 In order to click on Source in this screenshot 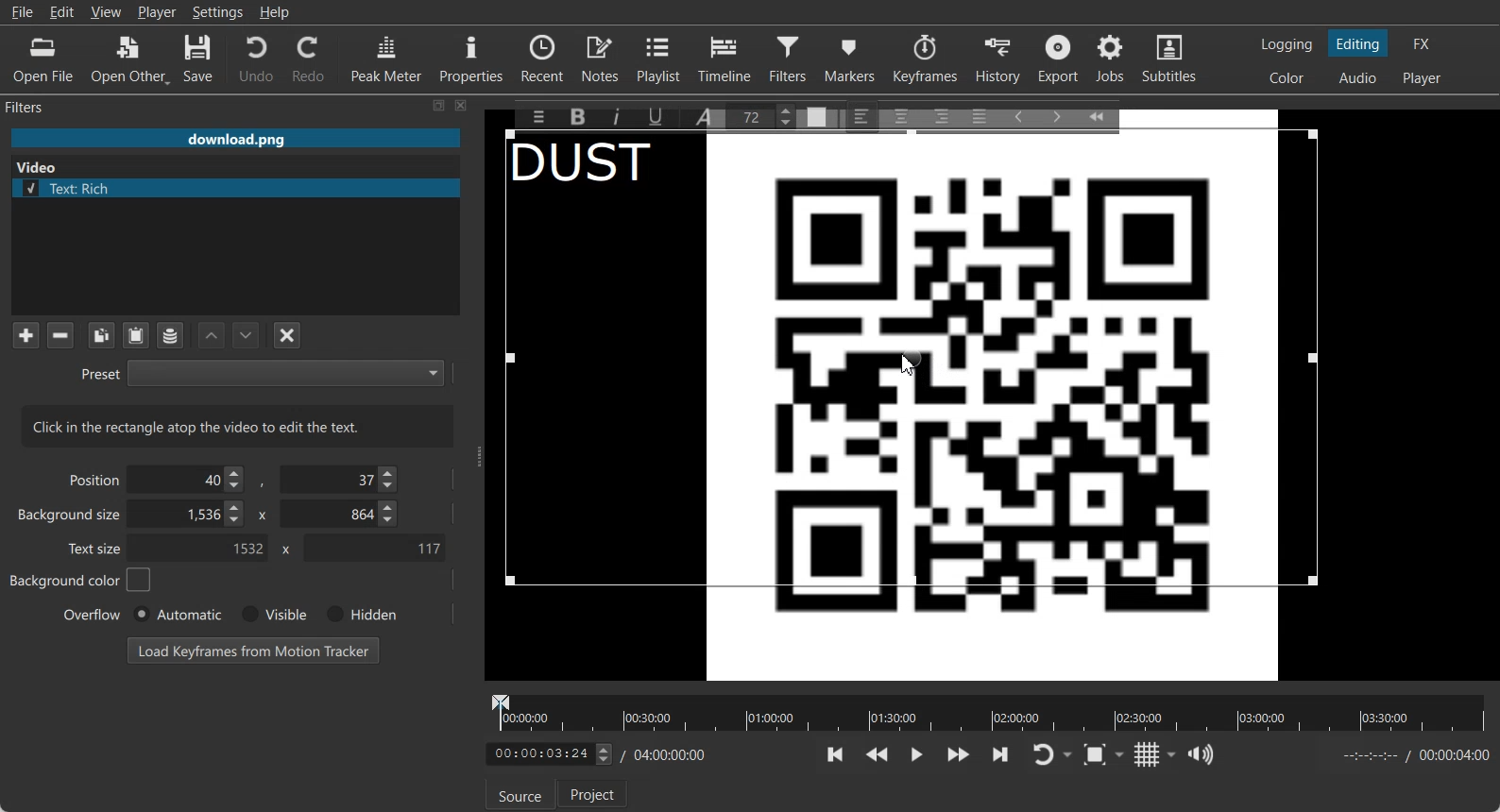, I will do `click(520, 795)`.